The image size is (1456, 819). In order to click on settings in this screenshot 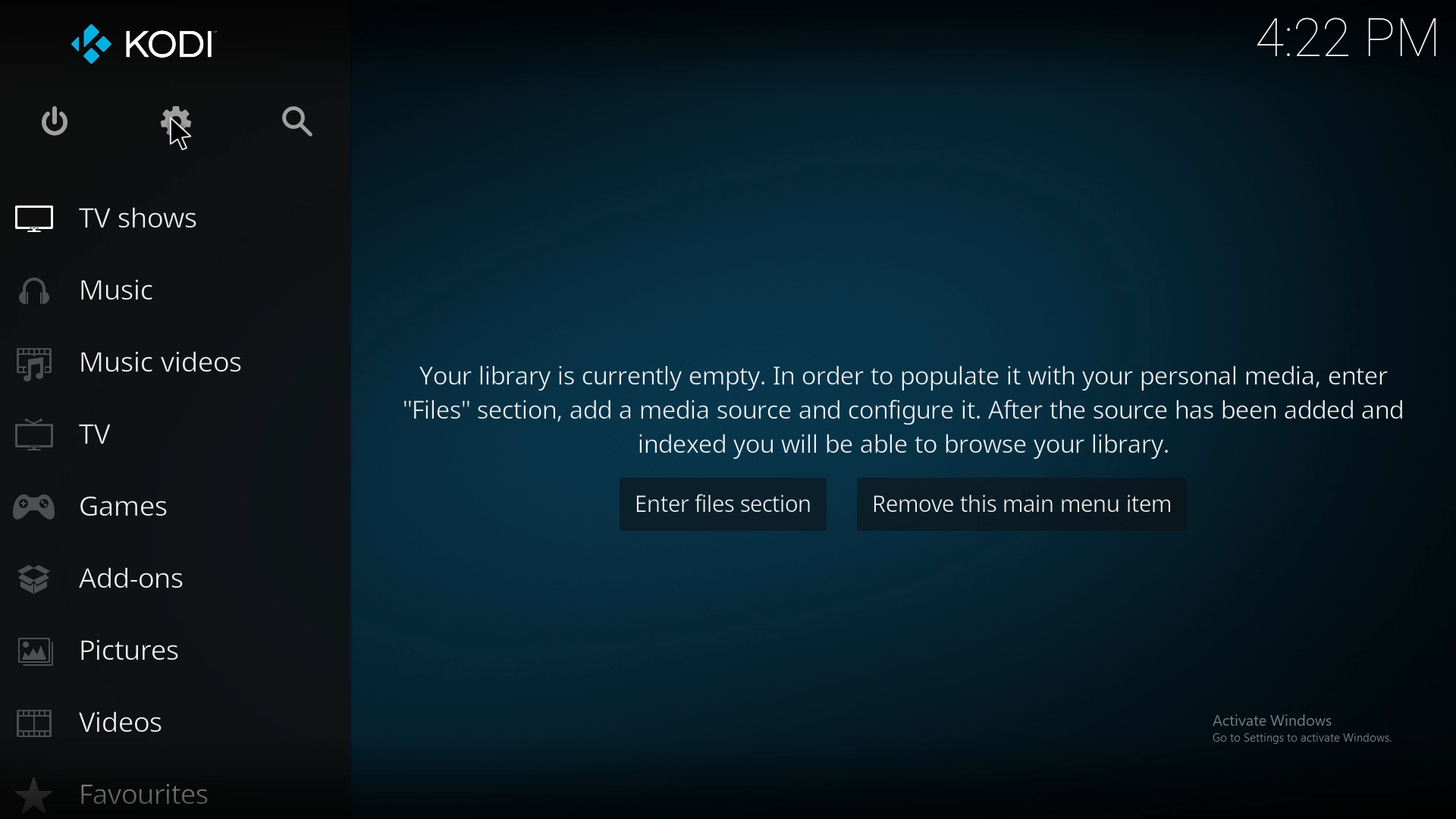, I will do `click(179, 123)`.